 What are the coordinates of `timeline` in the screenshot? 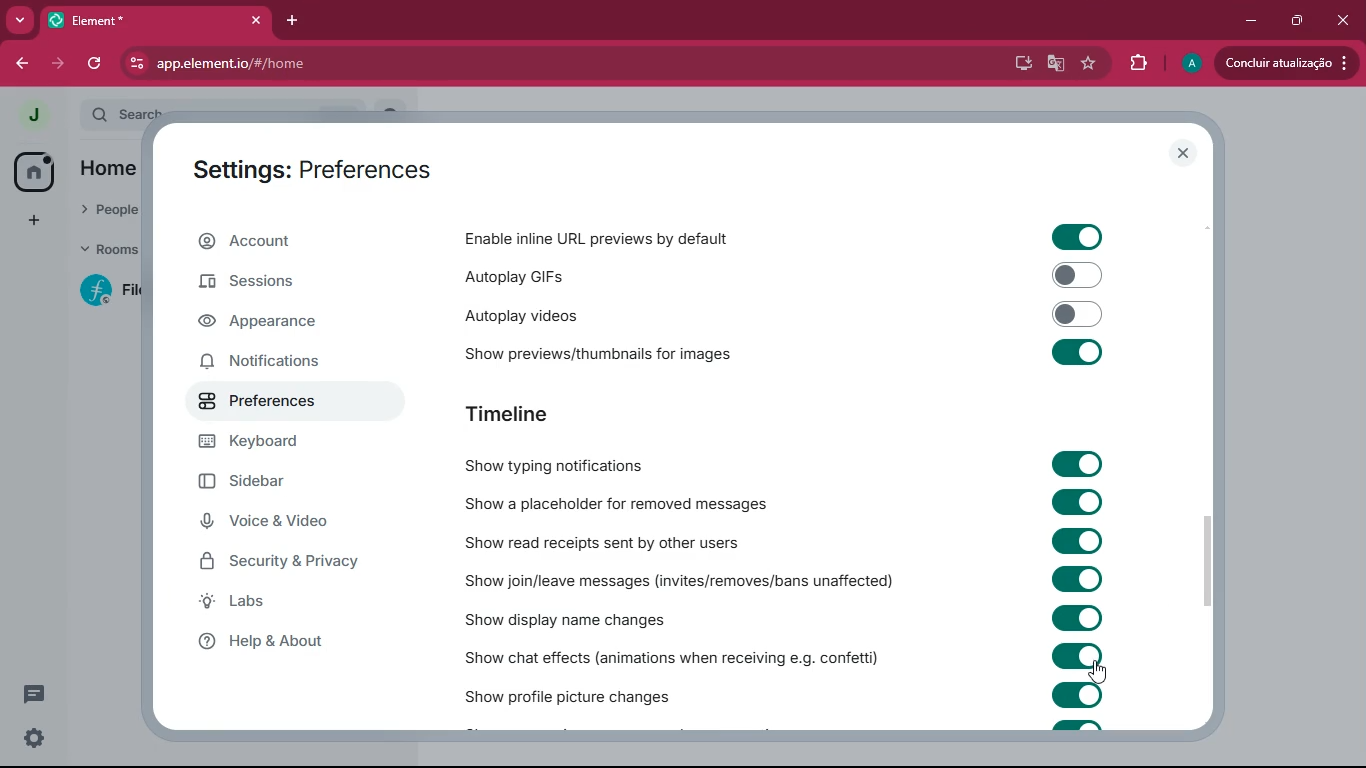 It's located at (539, 415).